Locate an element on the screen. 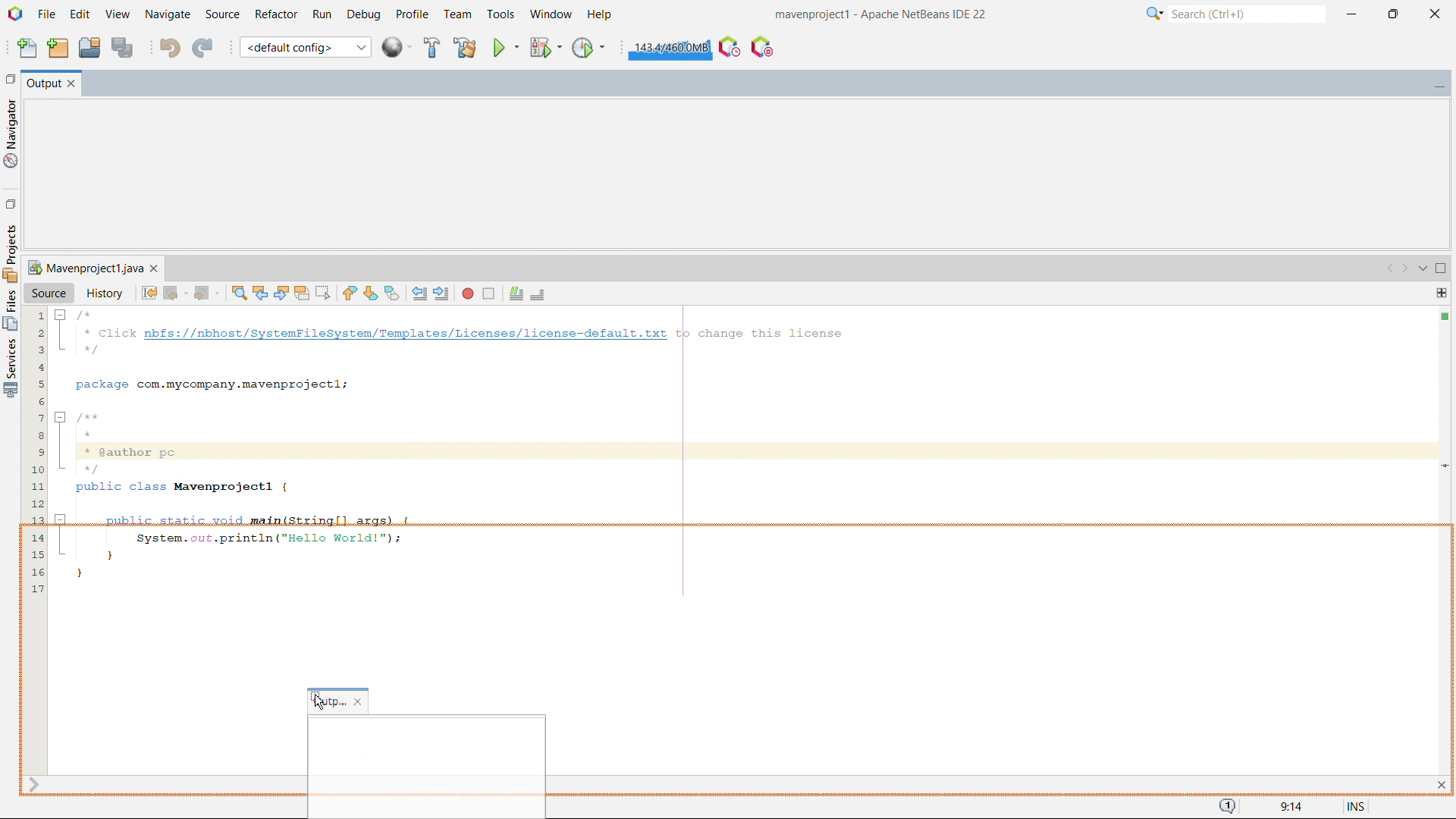  build project is located at coordinates (431, 48).